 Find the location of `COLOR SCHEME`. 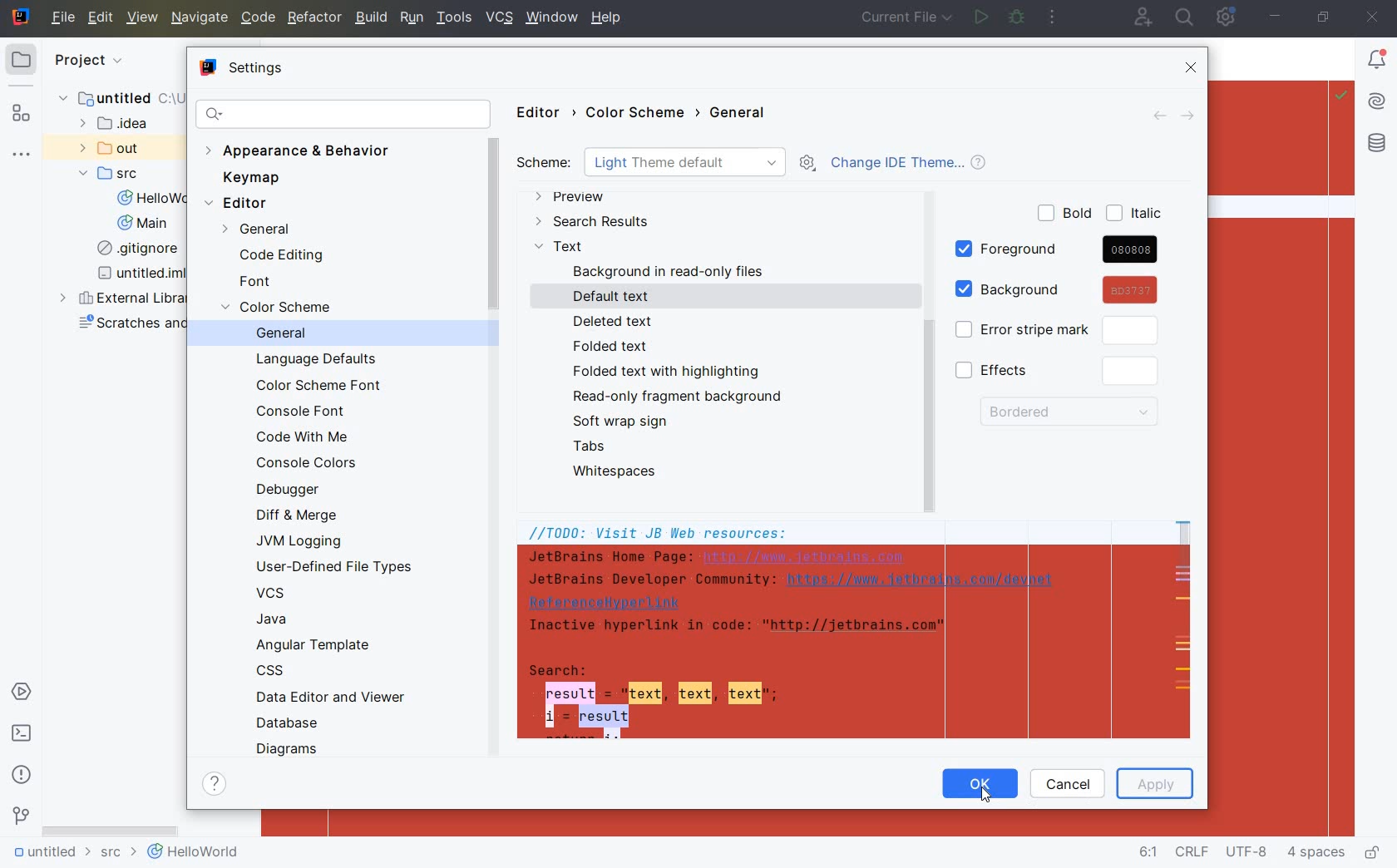

COLOR SCHEME is located at coordinates (643, 114).